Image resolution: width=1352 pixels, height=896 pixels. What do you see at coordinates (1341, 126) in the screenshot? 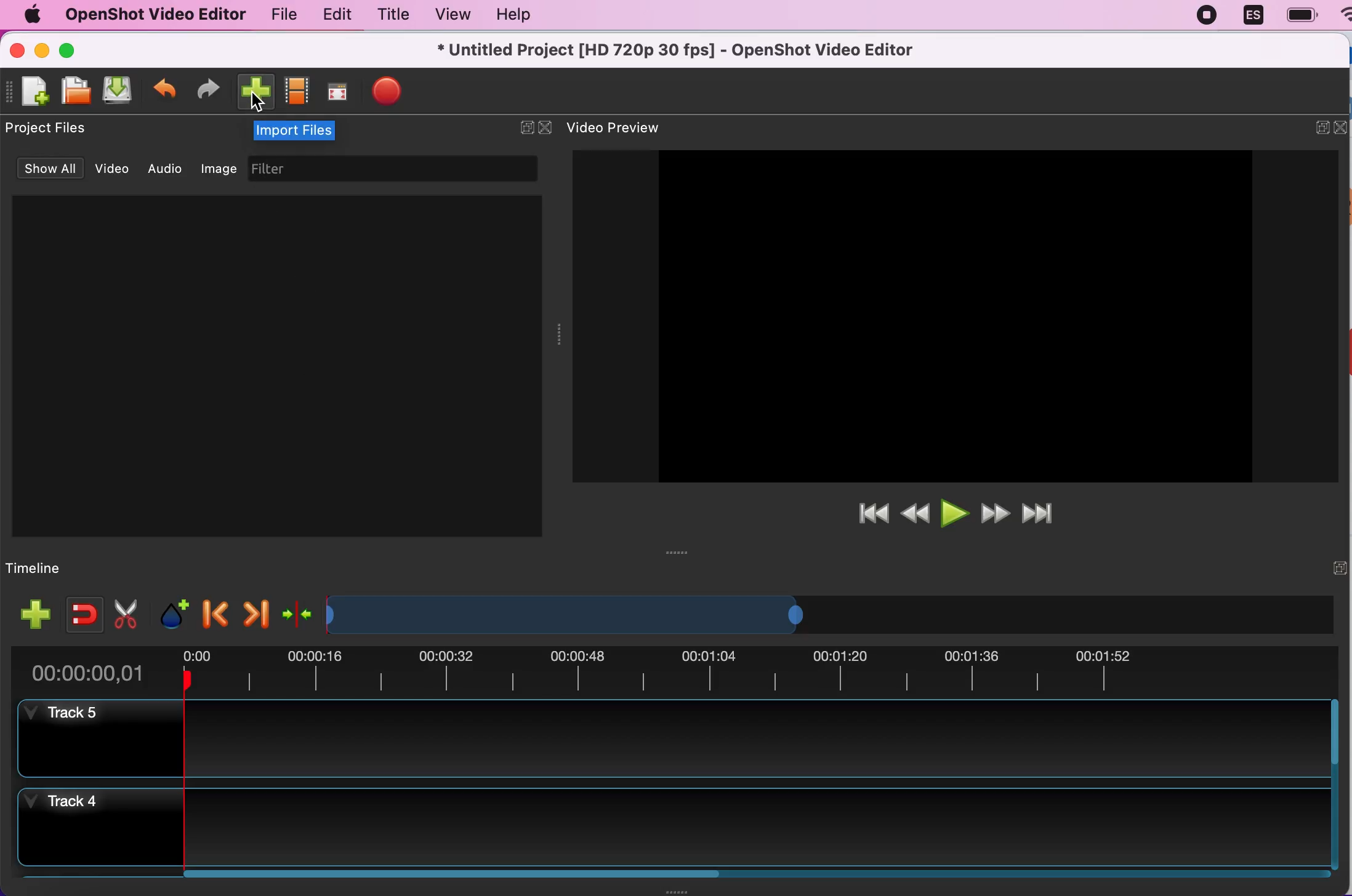
I see `close` at bounding box center [1341, 126].